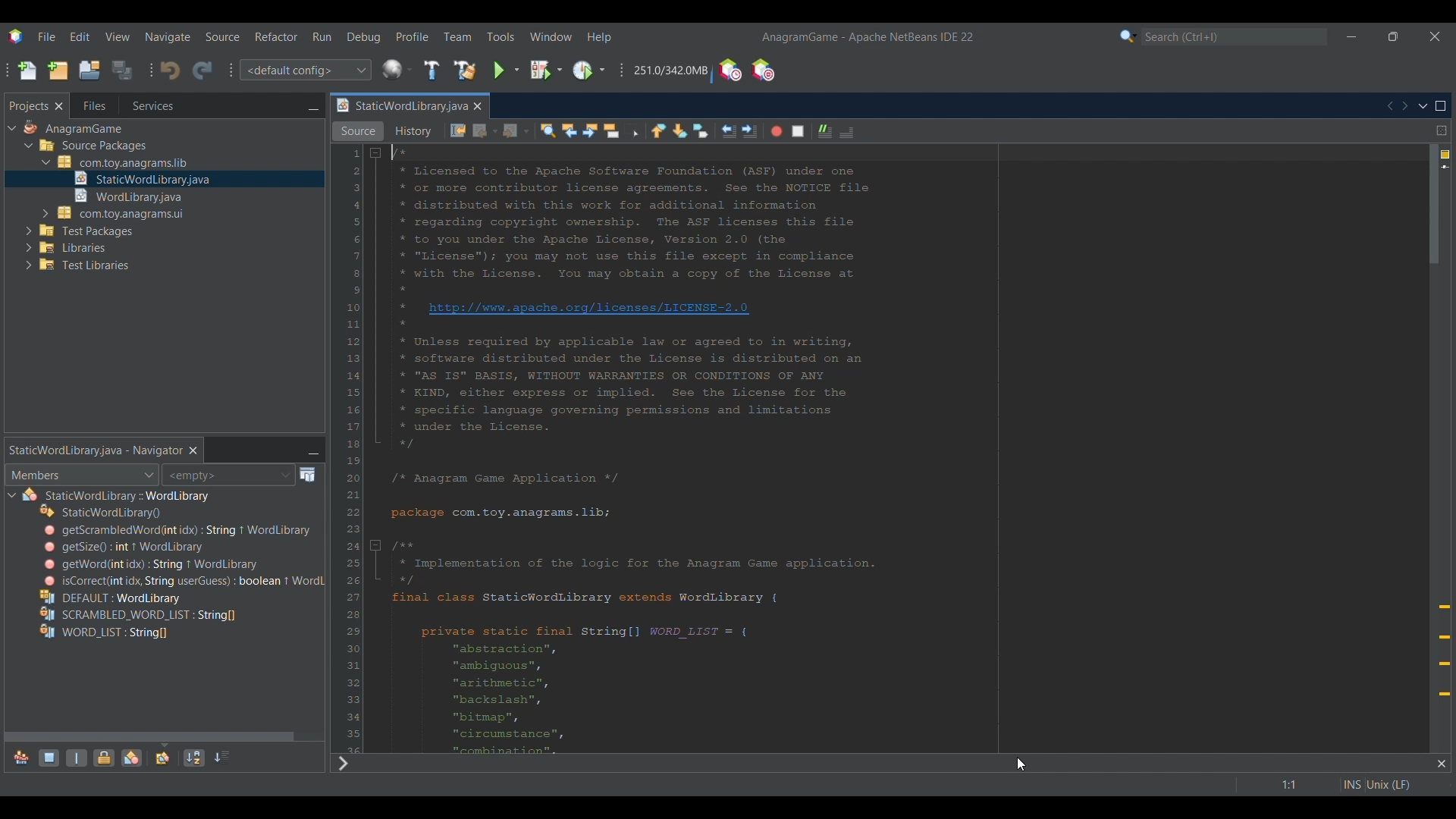  Describe the element at coordinates (222, 758) in the screenshot. I see `Sort by source` at that location.